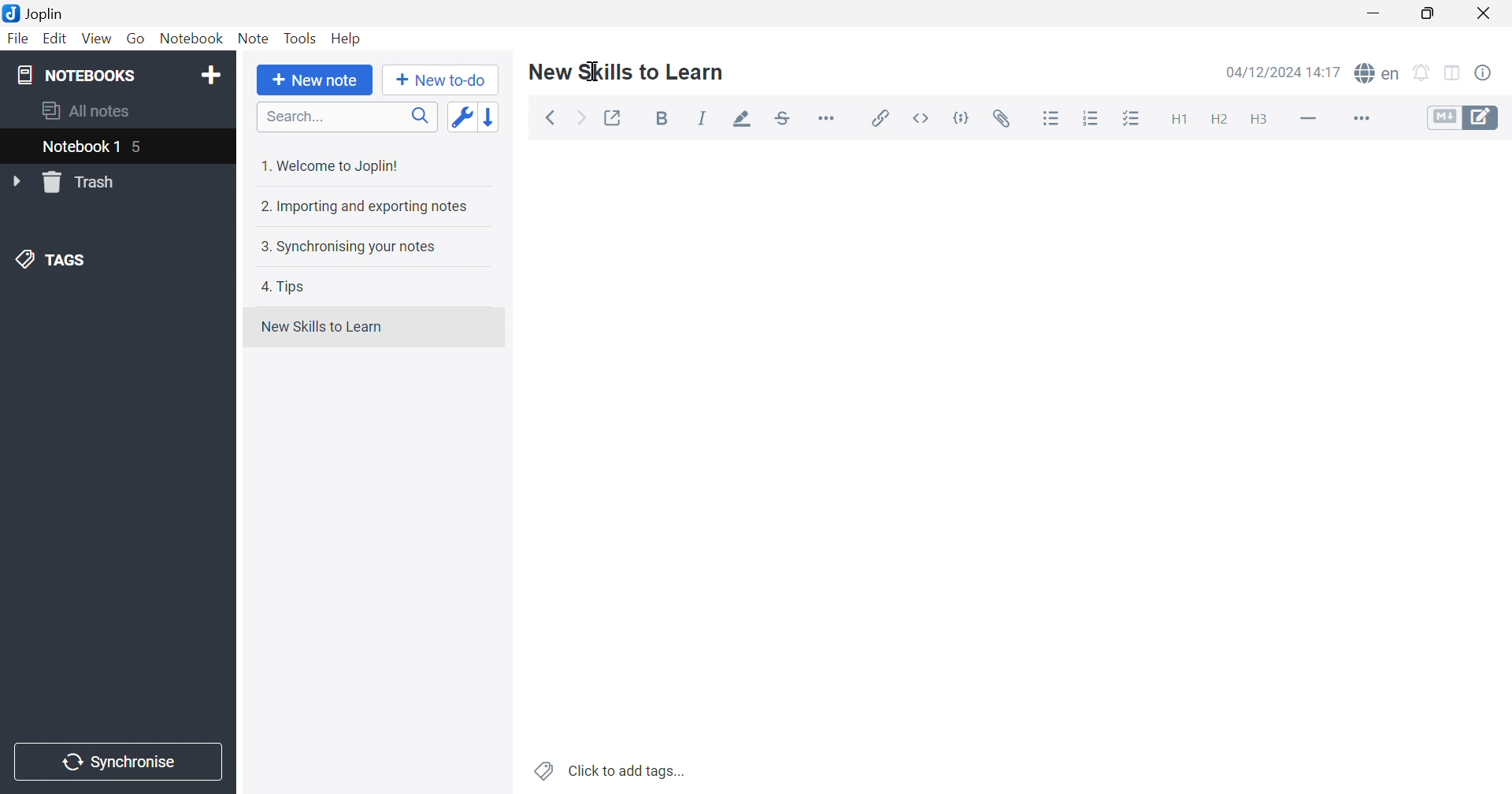 The width and height of the screenshot is (1512, 794). What do you see at coordinates (878, 118) in the screenshot?
I see `Insert/edit link` at bounding box center [878, 118].